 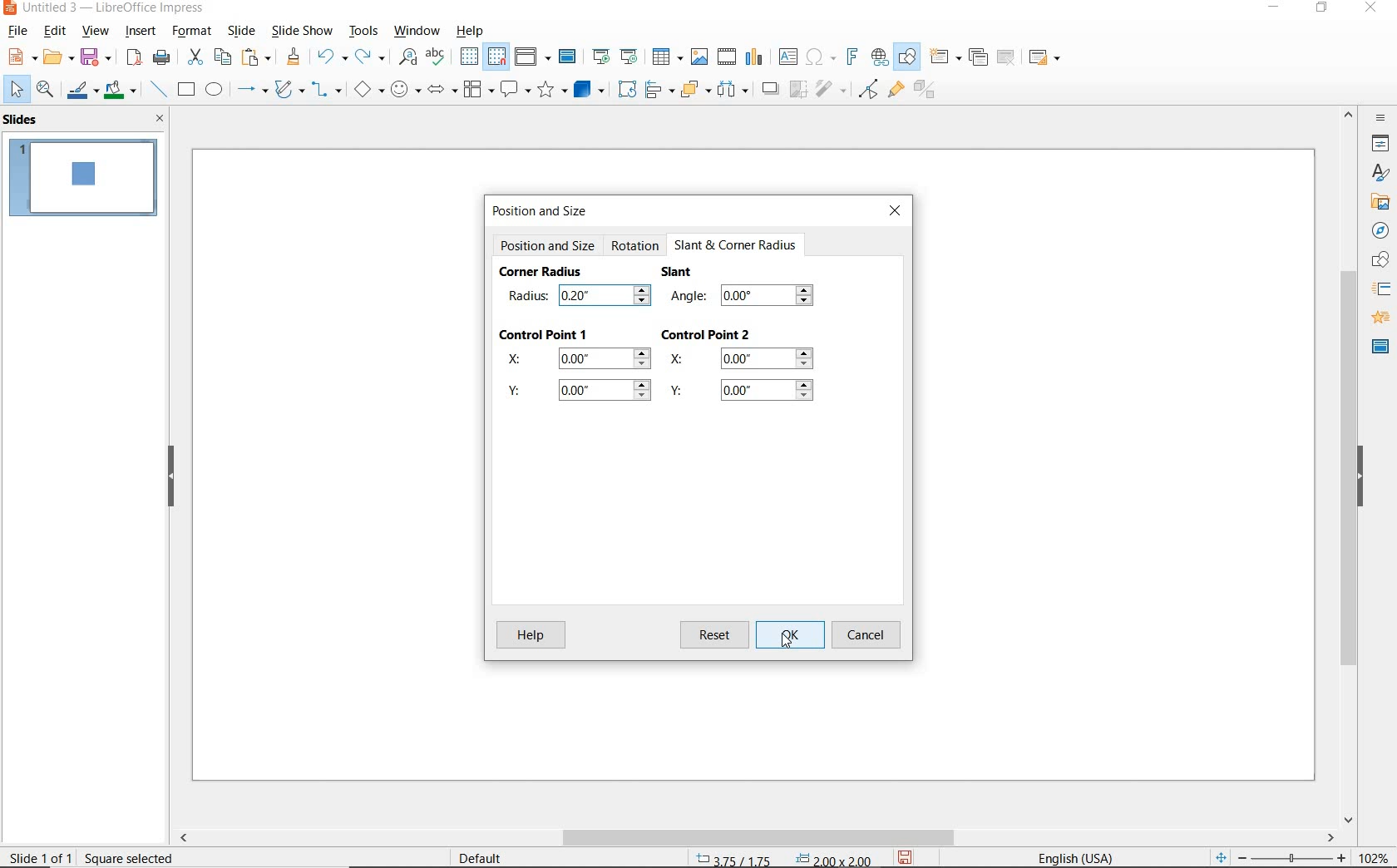 What do you see at coordinates (1377, 260) in the screenshot?
I see `shapes` at bounding box center [1377, 260].